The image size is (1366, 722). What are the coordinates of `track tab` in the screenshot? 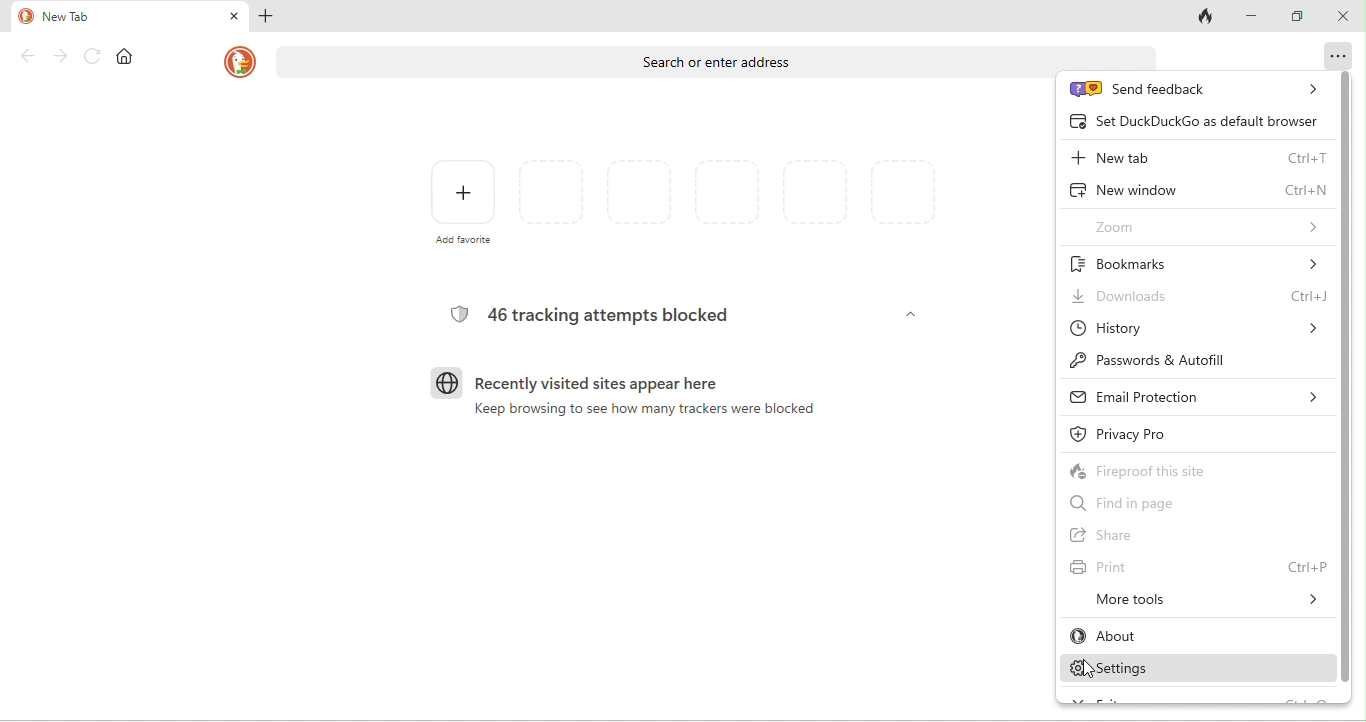 It's located at (1200, 17).